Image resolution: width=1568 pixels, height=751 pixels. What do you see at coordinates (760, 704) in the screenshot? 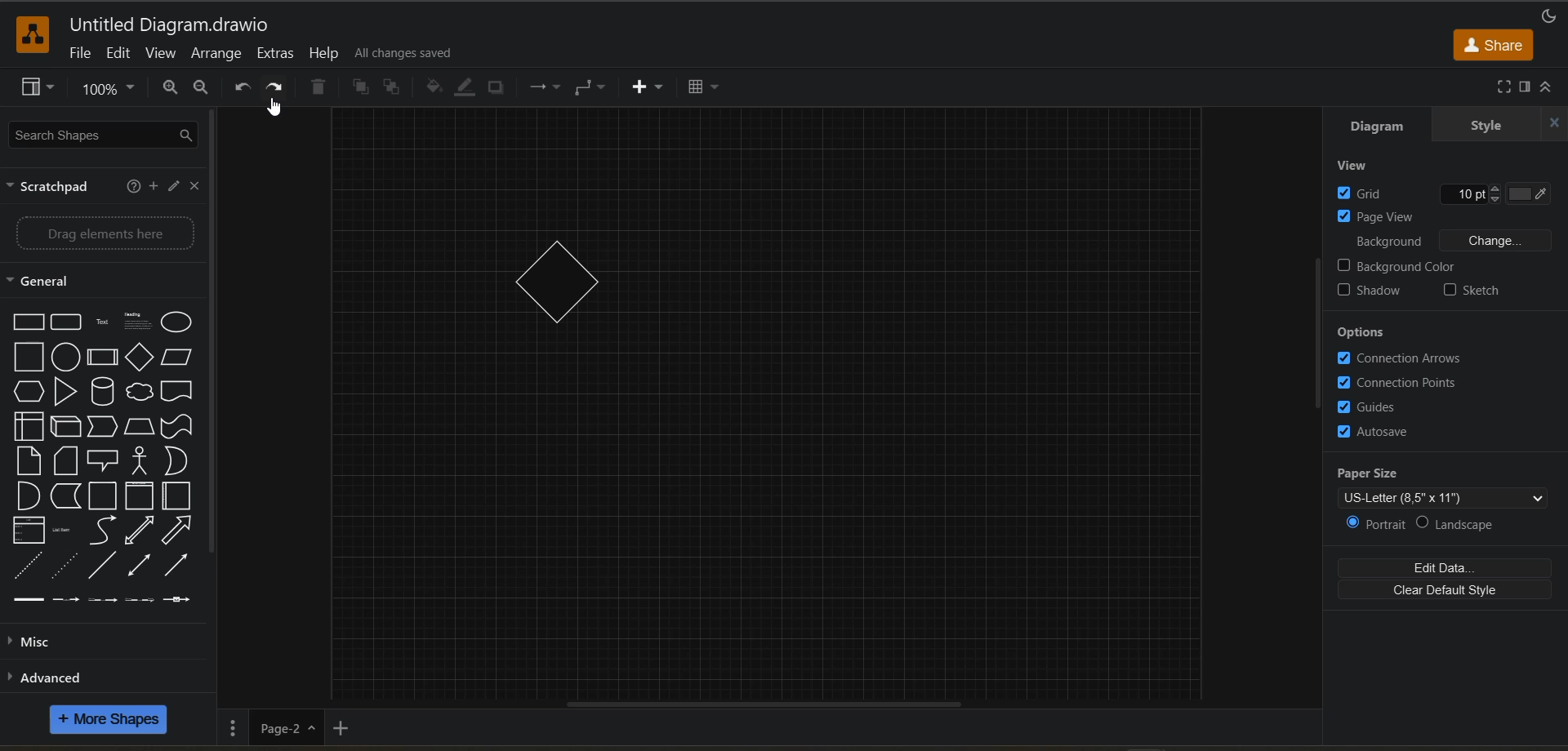
I see `horizontal scroll bar` at bounding box center [760, 704].